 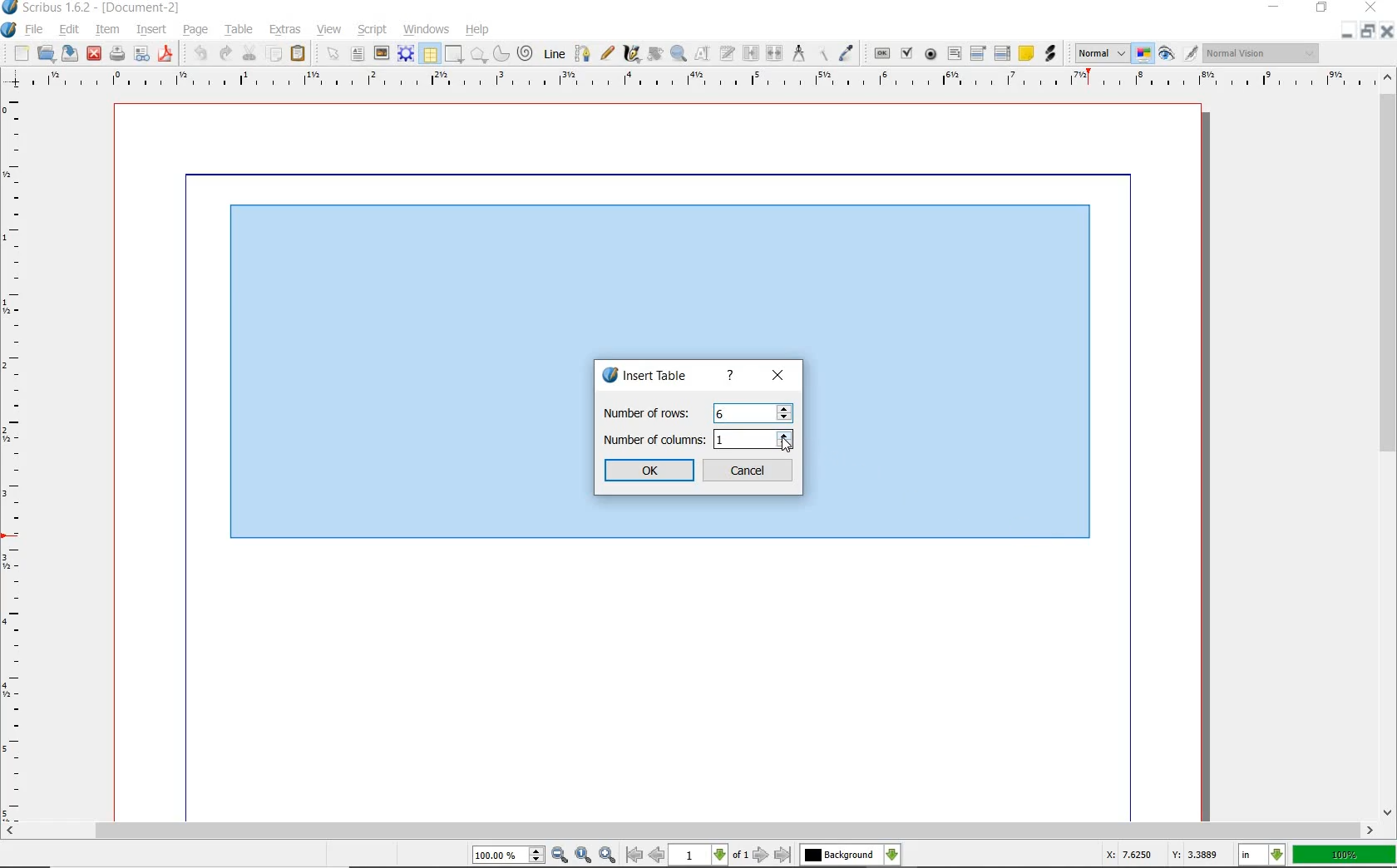 What do you see at coordinates (644, 375) in the screenshot?
I see `insert table` at bounding box center [644, 375].